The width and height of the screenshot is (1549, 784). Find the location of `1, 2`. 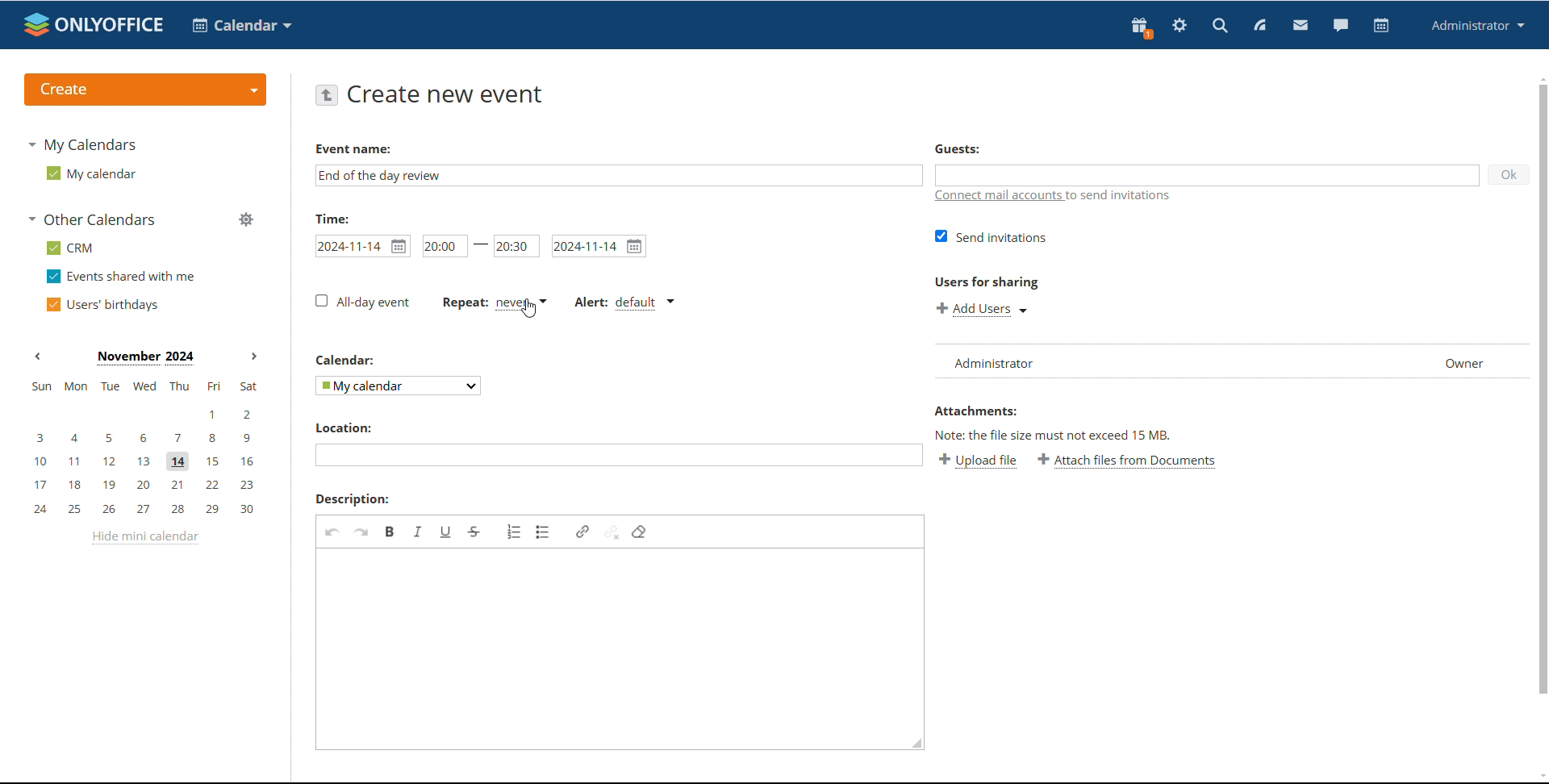

1, 2 is located at coordinates (142, 415).